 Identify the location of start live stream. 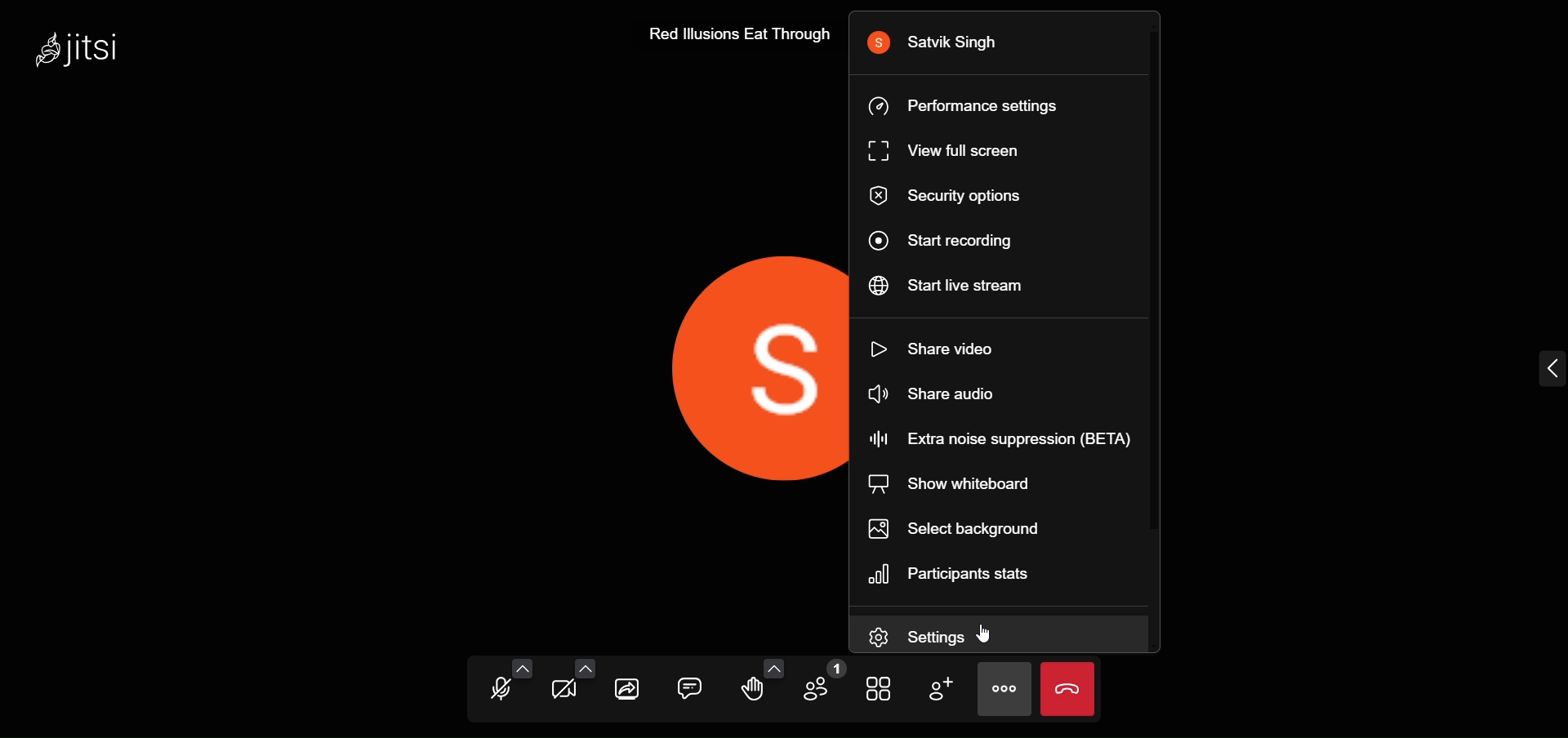
(951, 287).